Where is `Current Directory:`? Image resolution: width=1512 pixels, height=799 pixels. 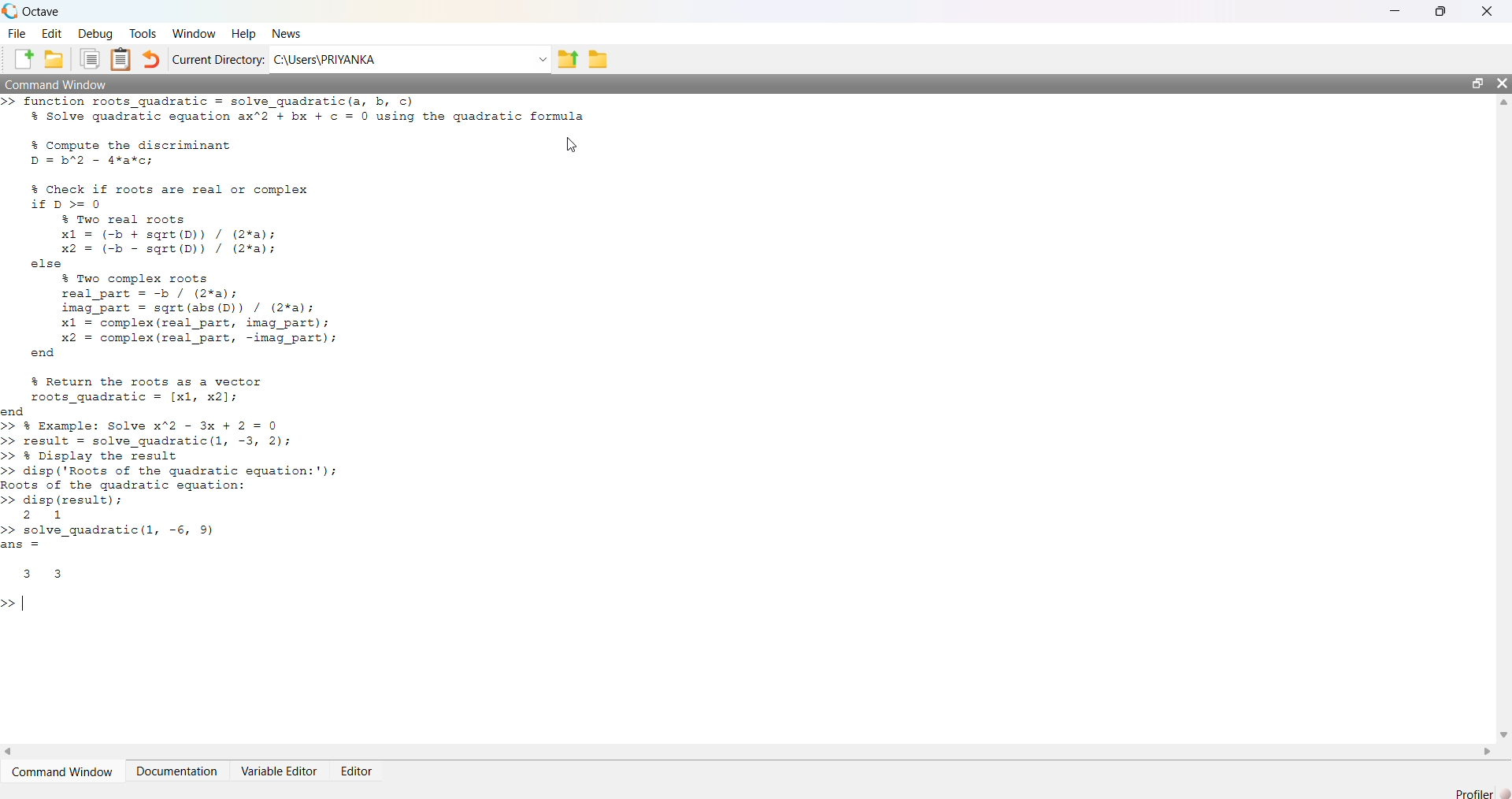
Current Directory: is located at coordinates (218, 59).